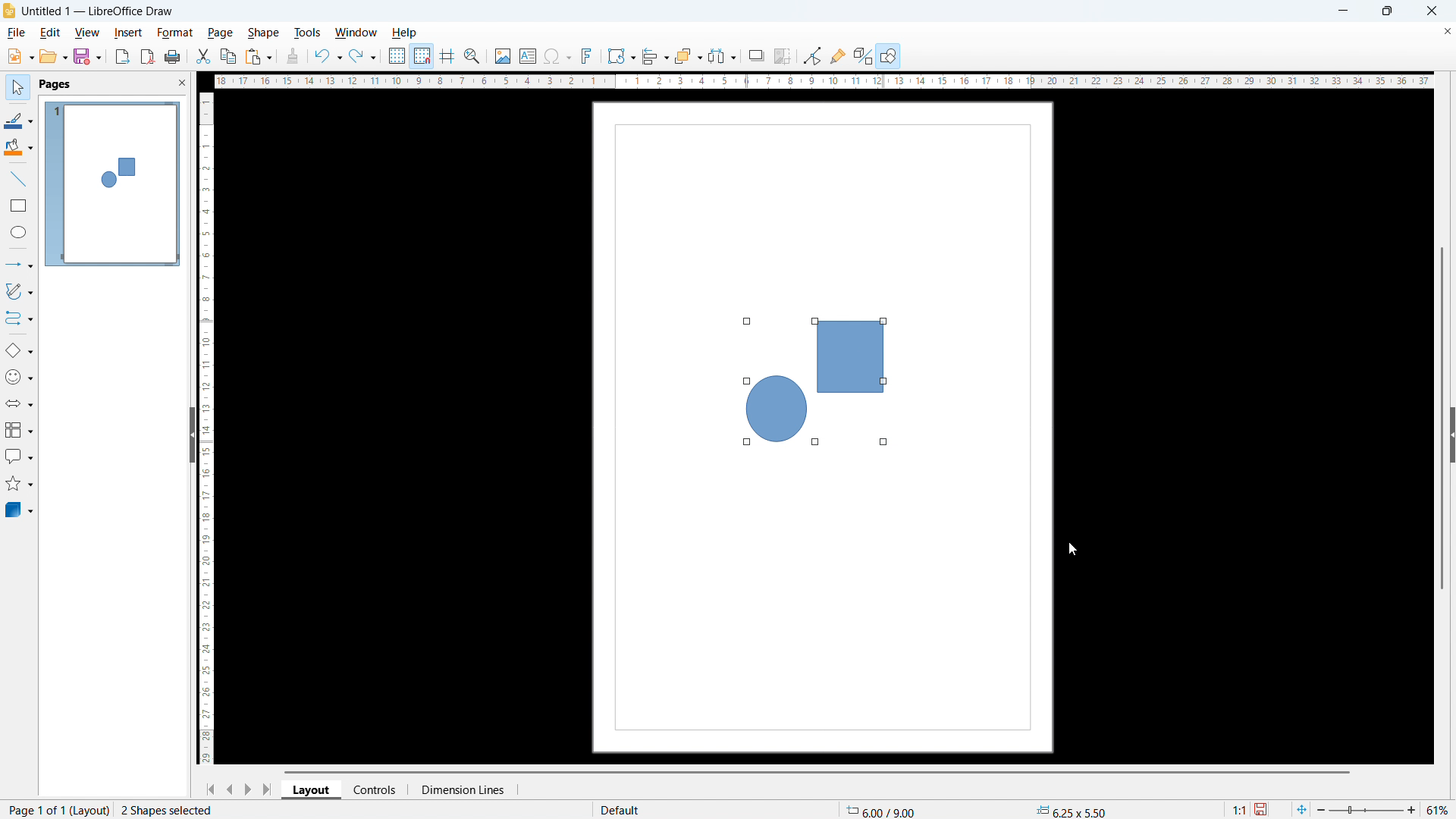 The width and height of the screenshot is (1456, 819). I want to click on export as pdf, so click(148, 57).